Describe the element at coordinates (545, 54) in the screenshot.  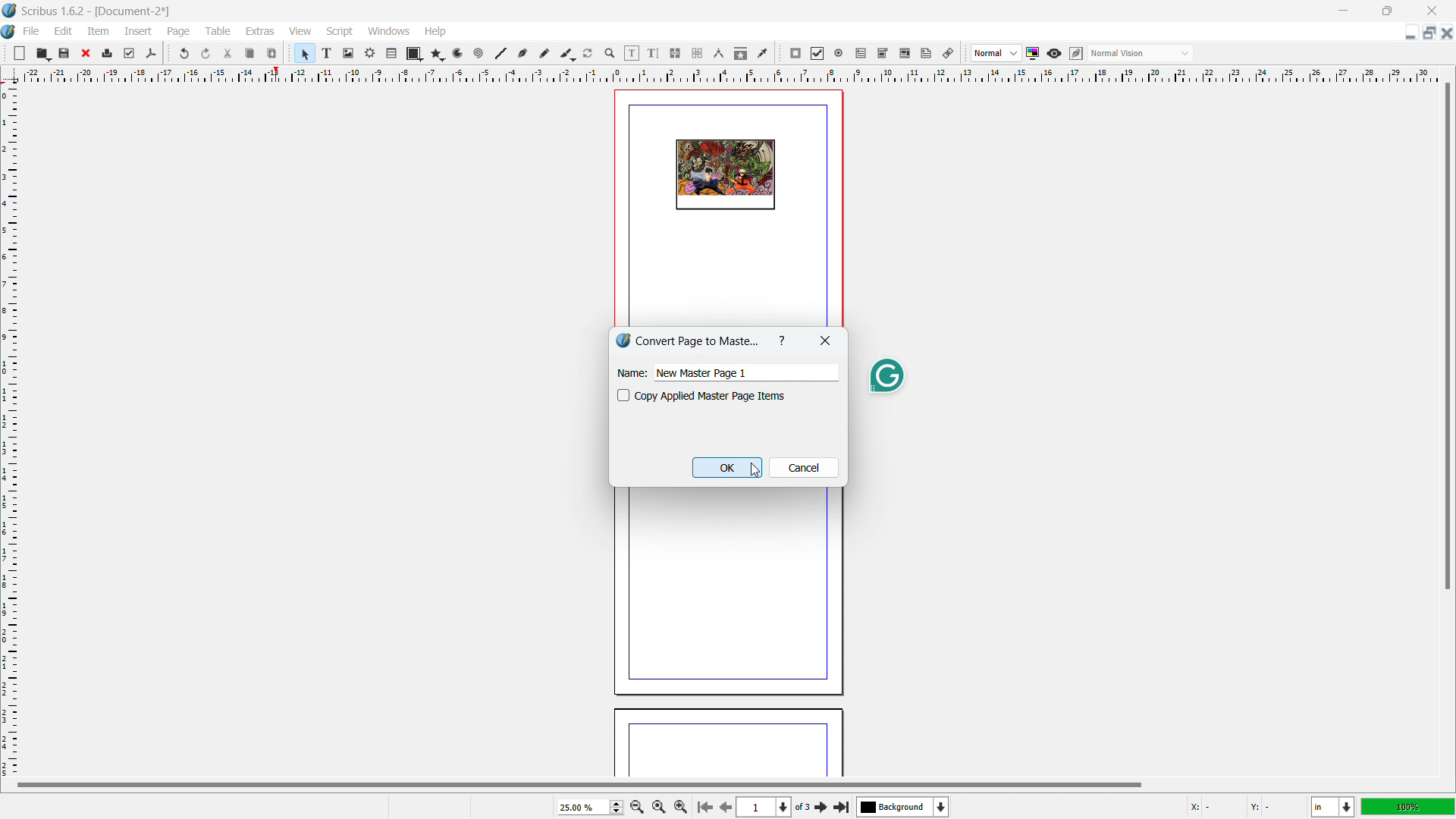
I see `freehand line` at that location.